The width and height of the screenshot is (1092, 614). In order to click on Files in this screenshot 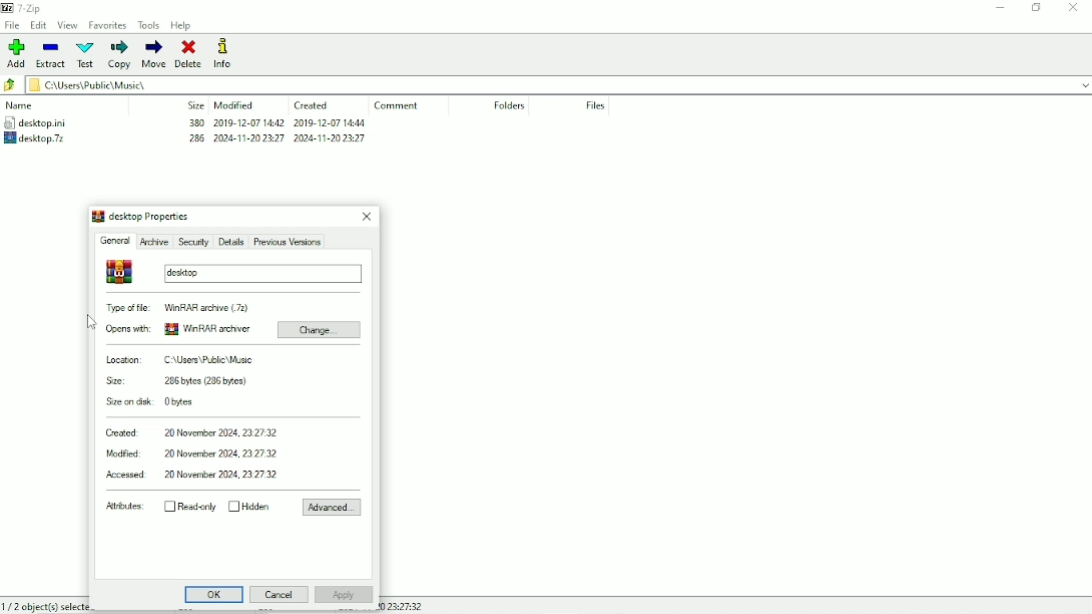, I will do `click(593, 105)`.